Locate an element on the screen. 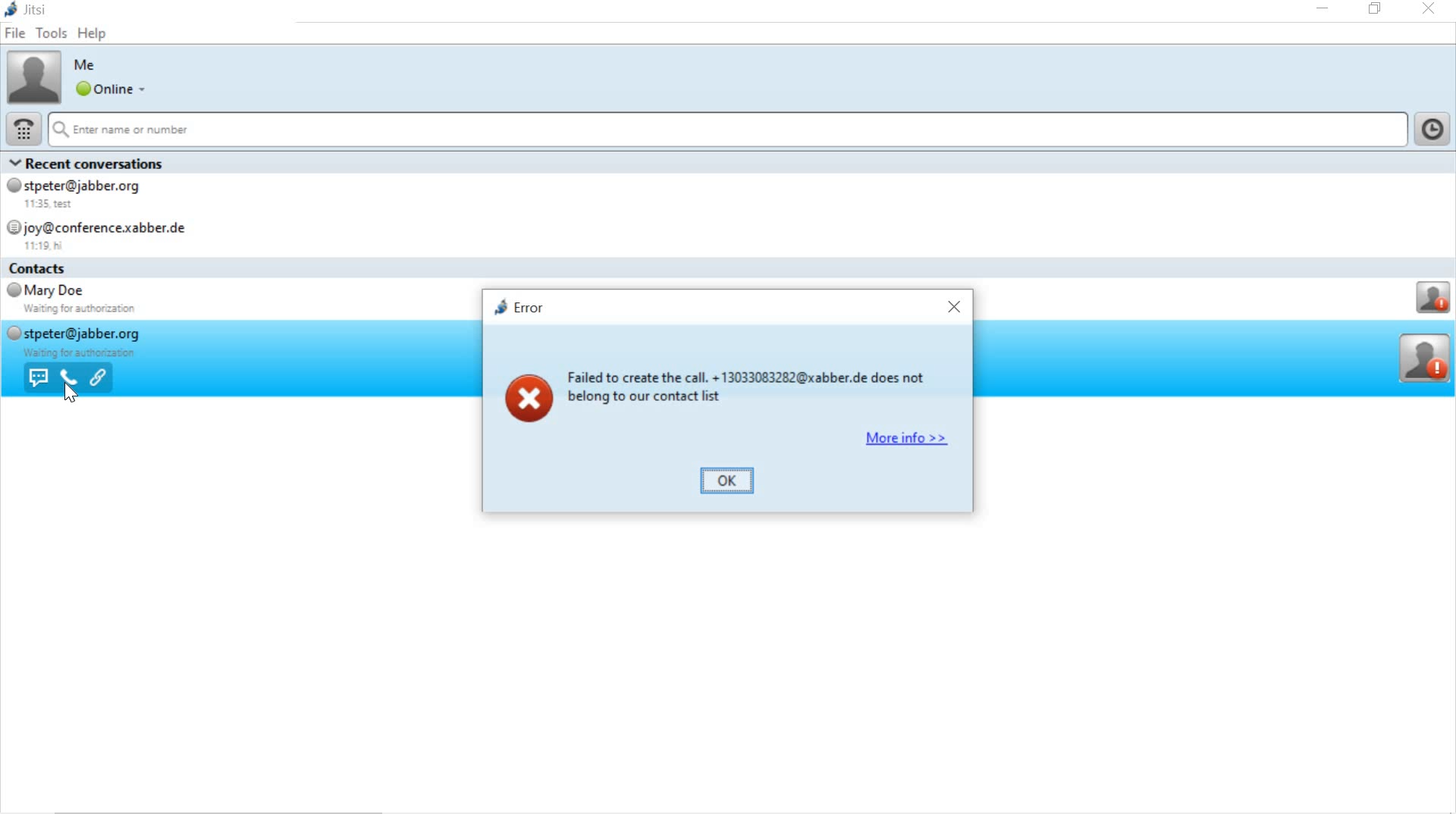 This screenshot has width=1456, height=814. voice call is located at coordinates (68, 377).